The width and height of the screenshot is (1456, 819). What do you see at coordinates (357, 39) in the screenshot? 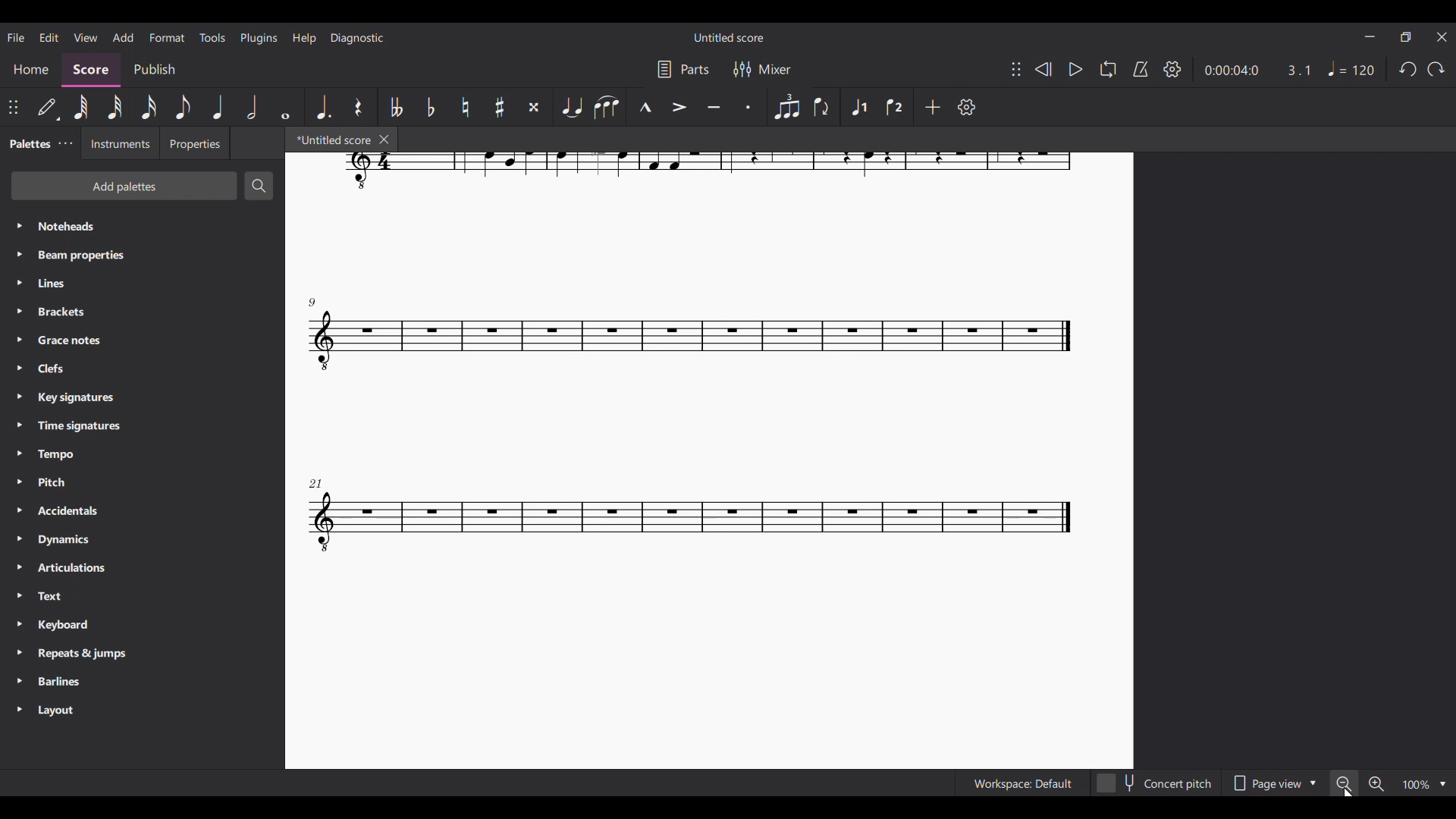
I see `Diagnostic menu` at bounding box center [357, 39].